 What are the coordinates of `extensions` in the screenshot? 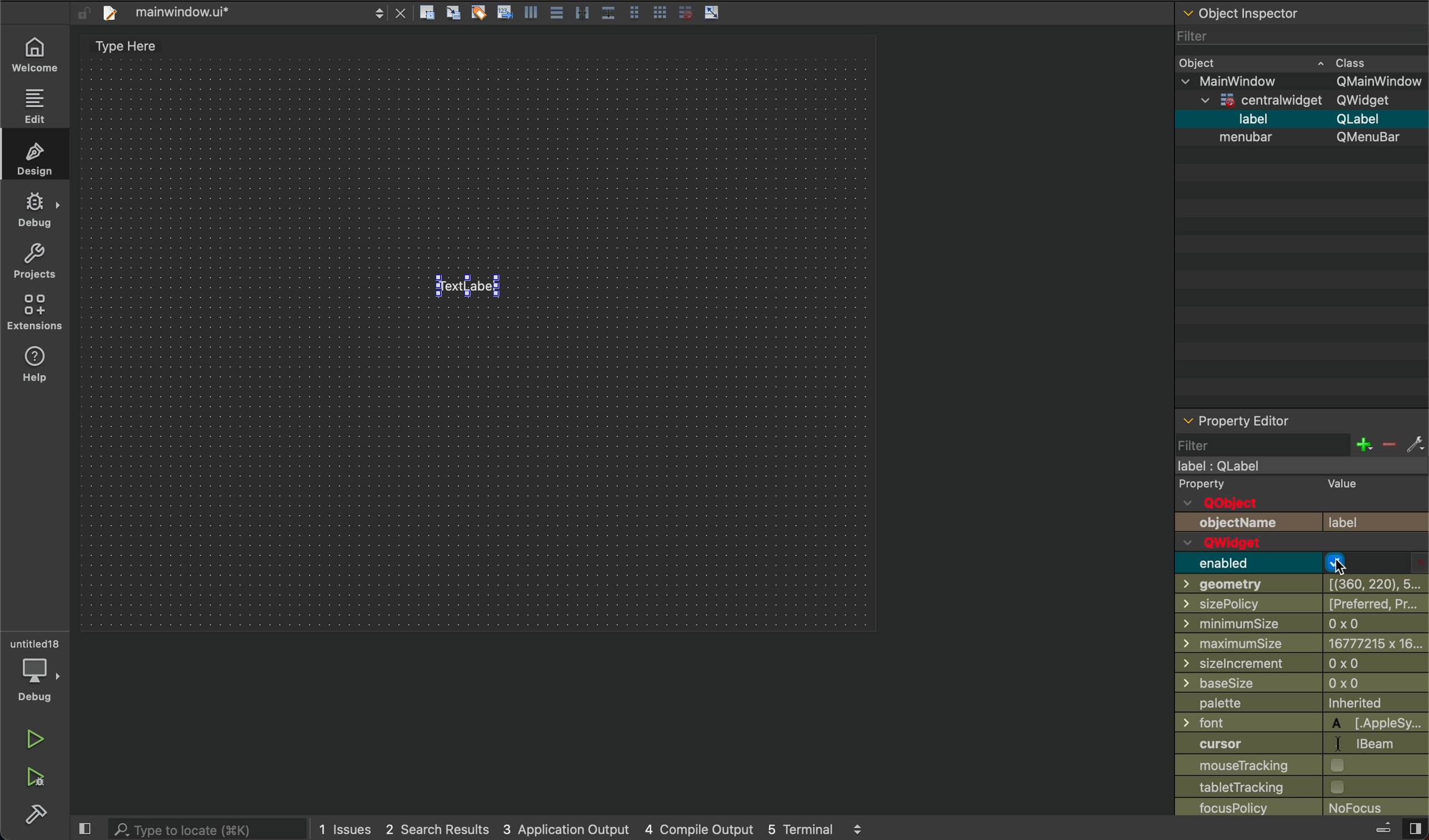 It's located at (34, 313).